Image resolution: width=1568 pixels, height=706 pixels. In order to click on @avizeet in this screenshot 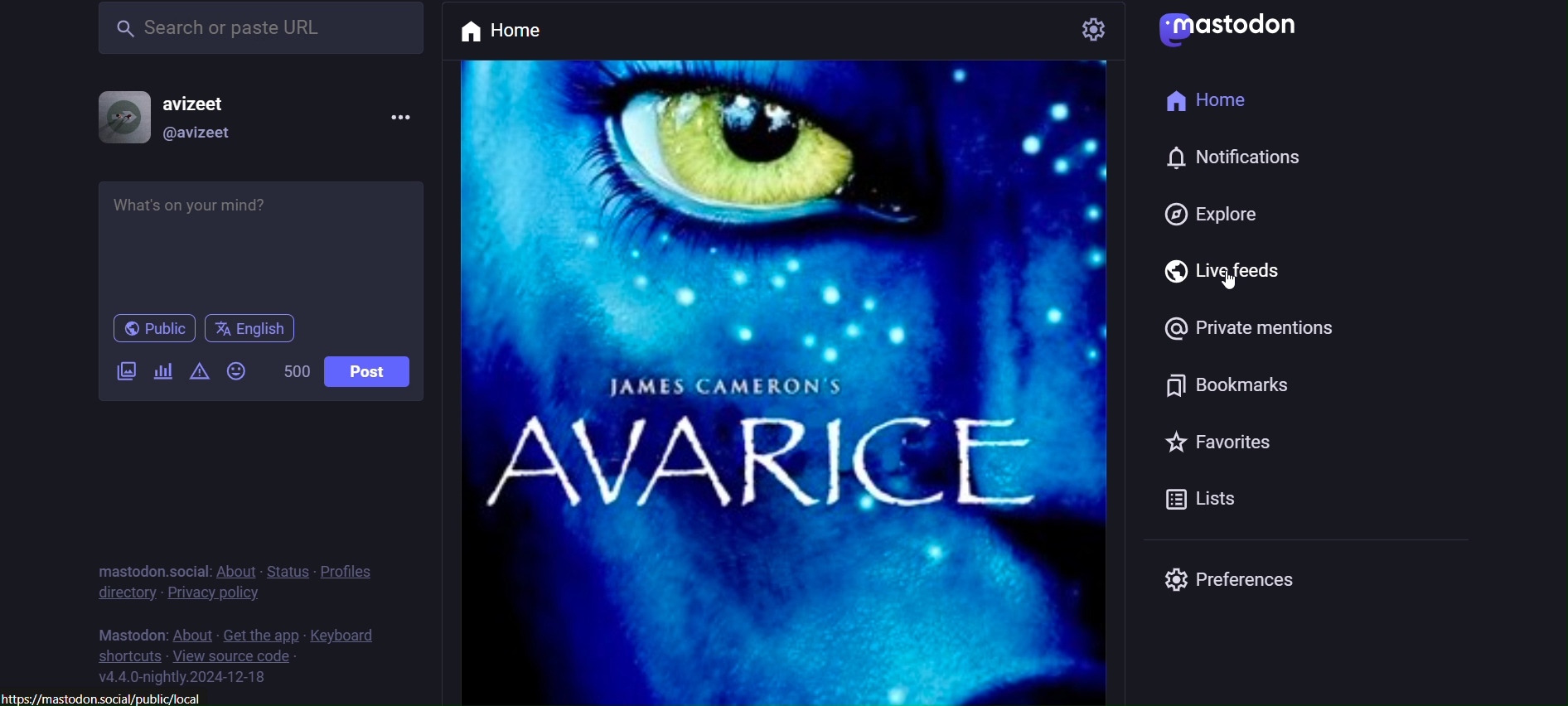, I will do `click(198, 132)`.